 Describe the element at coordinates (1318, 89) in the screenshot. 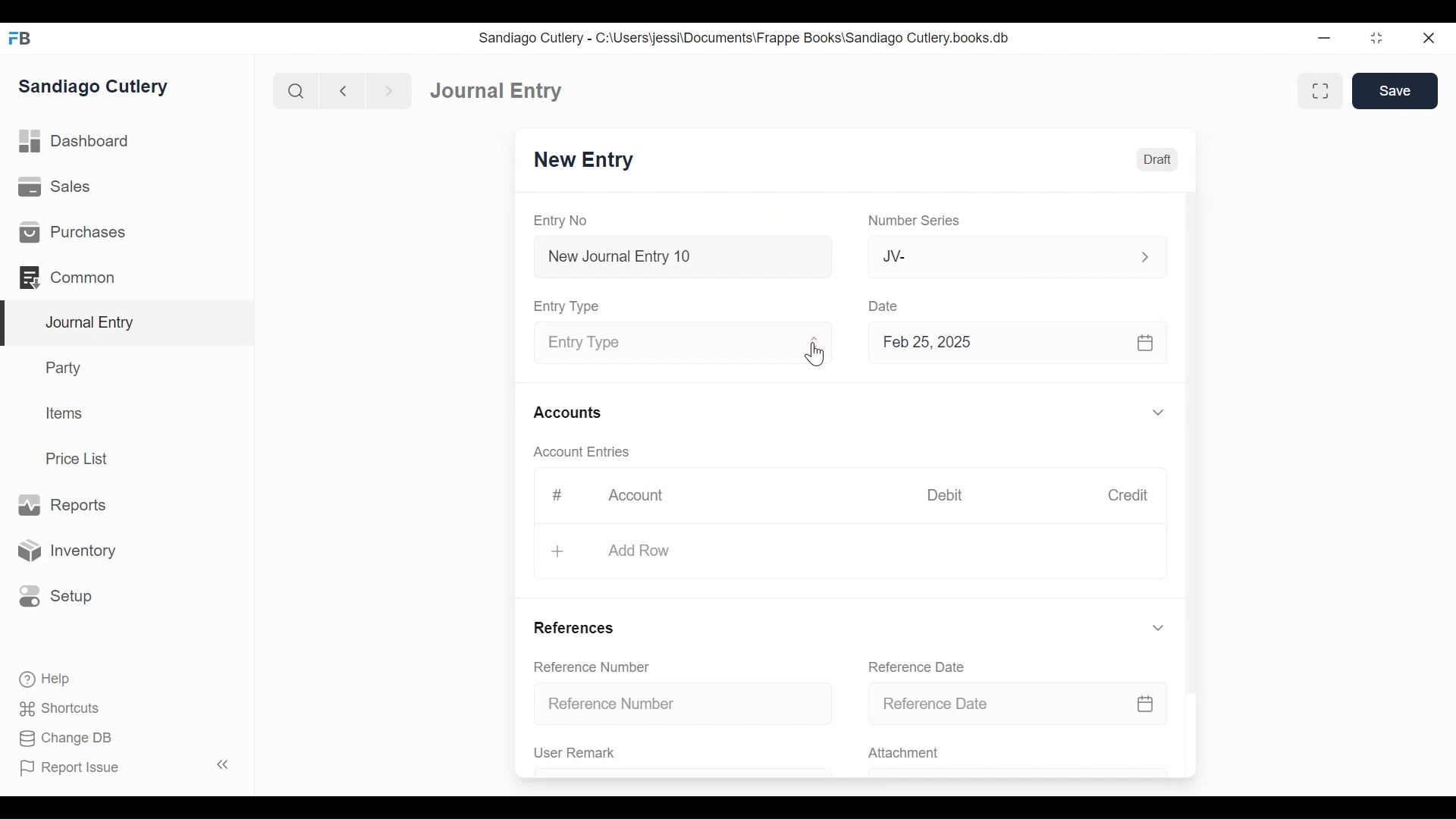

I see `Toggle between form and full width` at that location.